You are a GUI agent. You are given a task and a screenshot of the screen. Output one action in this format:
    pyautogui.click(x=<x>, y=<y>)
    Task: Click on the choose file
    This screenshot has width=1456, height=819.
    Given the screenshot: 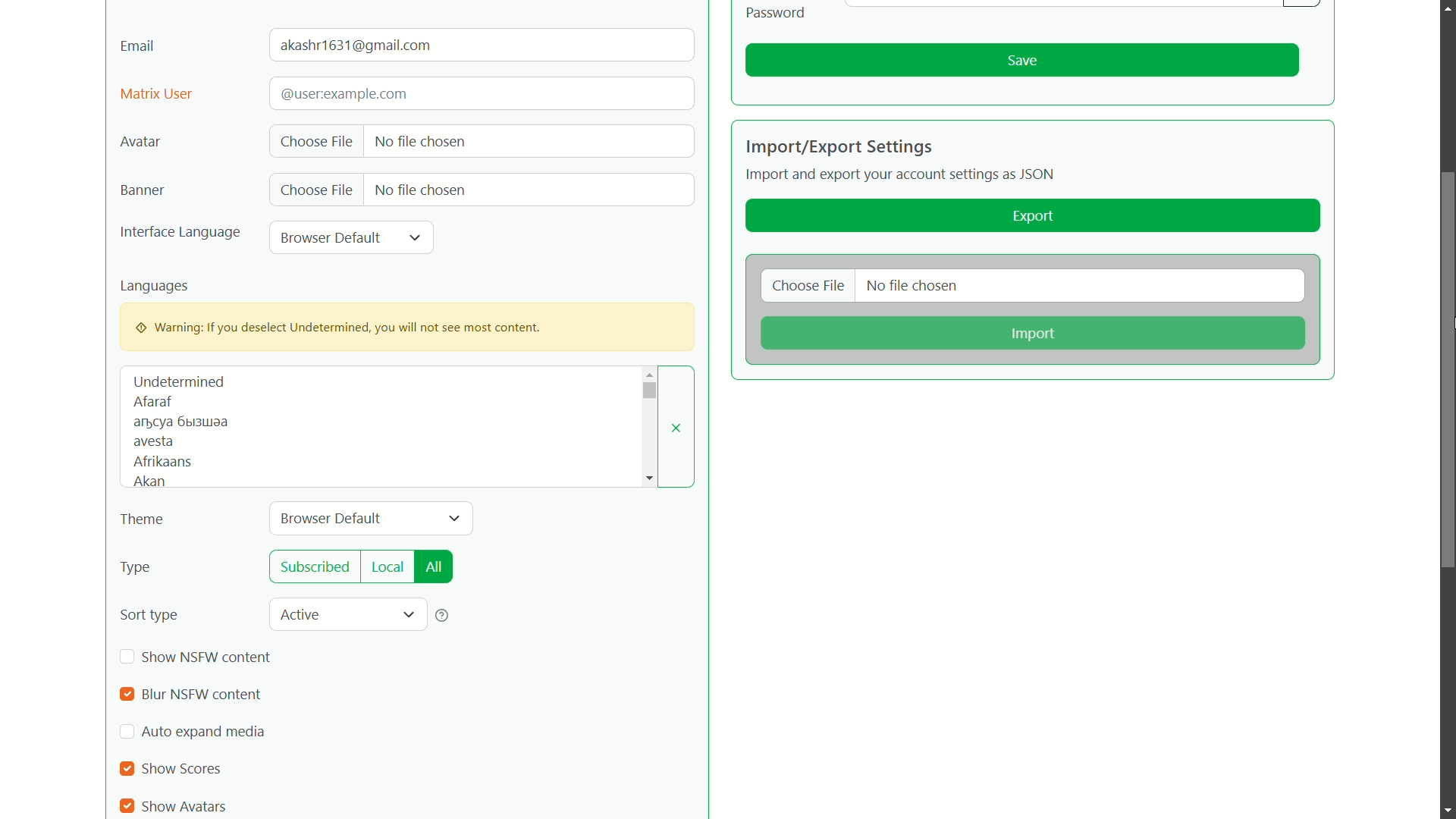 What is the action you would take?
    pyautogui.click(x=316, y=143)
    